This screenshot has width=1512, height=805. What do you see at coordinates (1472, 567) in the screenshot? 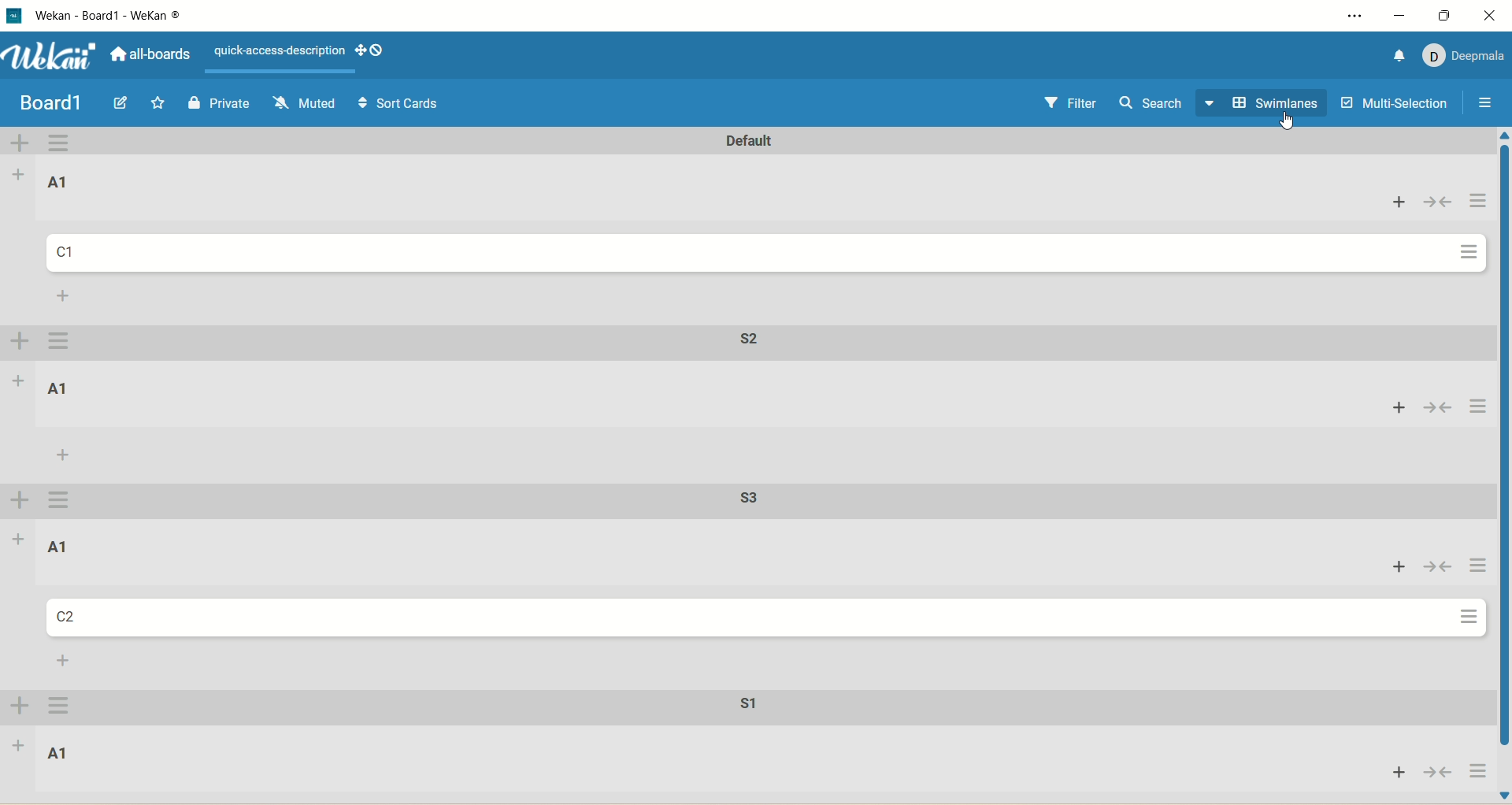
I see `actions` at bounding box center [1472, 567].